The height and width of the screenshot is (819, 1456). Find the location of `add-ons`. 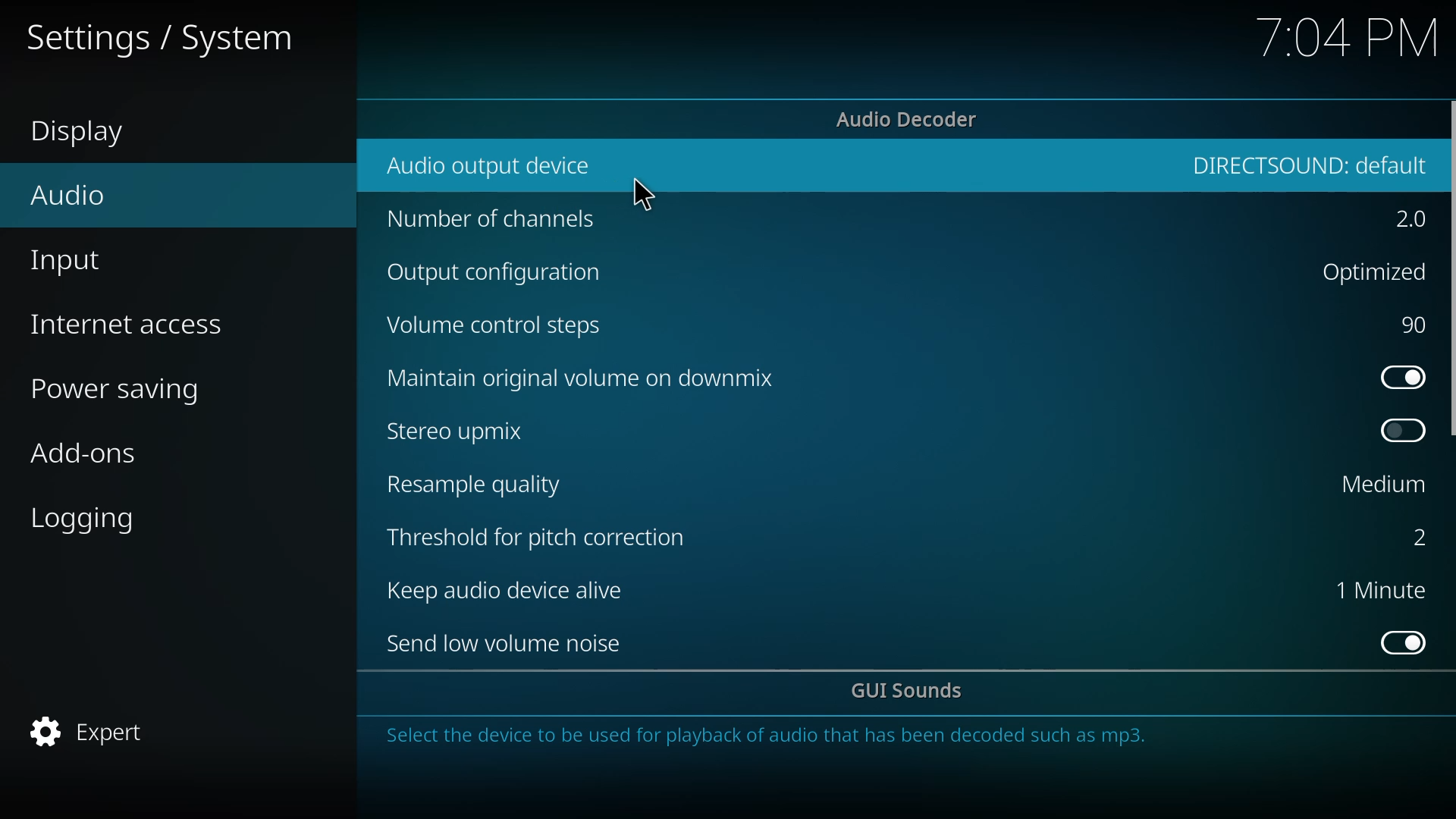

add-ons is located at coordinates (84, 457).